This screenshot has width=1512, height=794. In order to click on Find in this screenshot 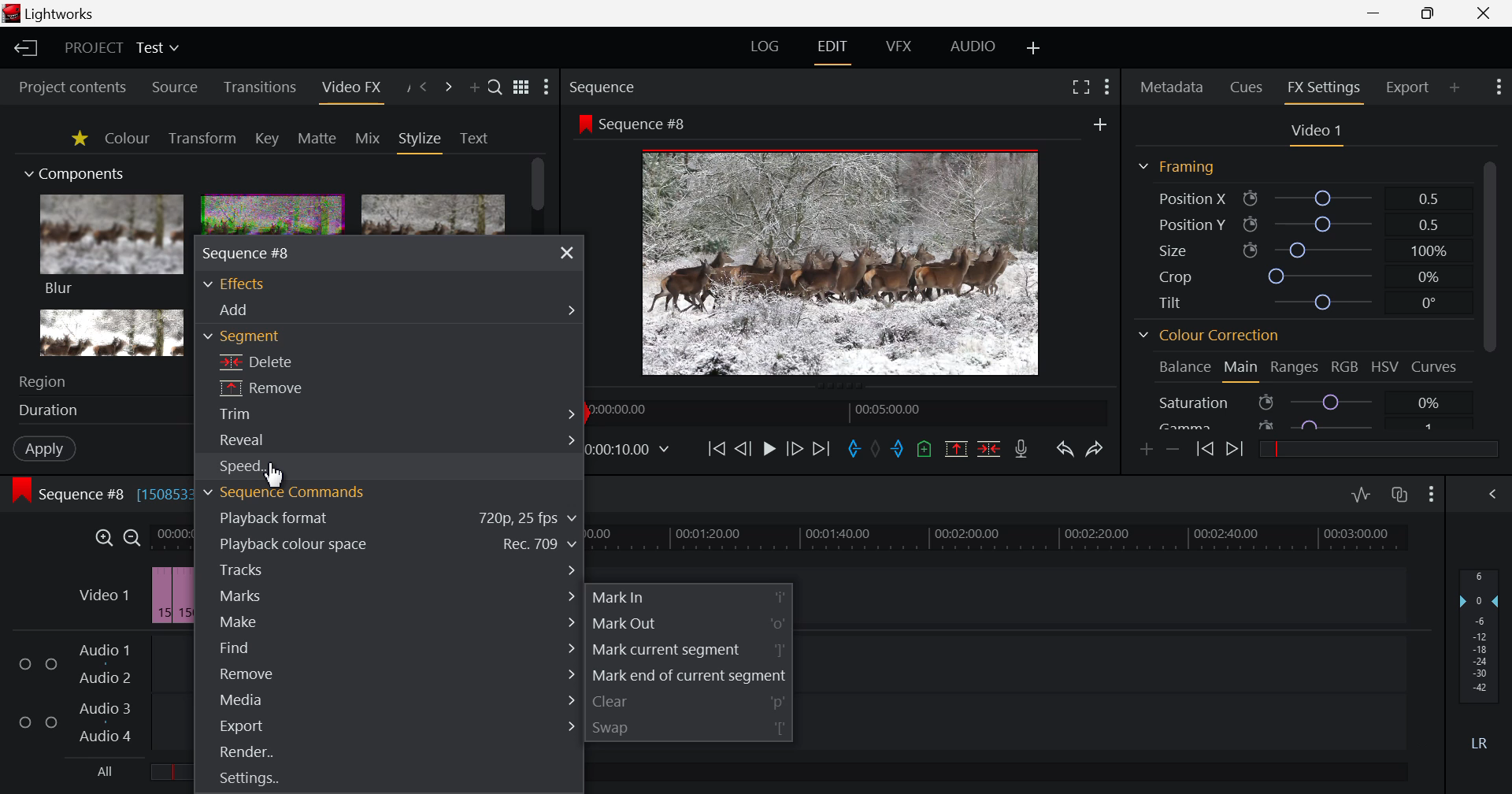, I will do `click(387, 647)`.